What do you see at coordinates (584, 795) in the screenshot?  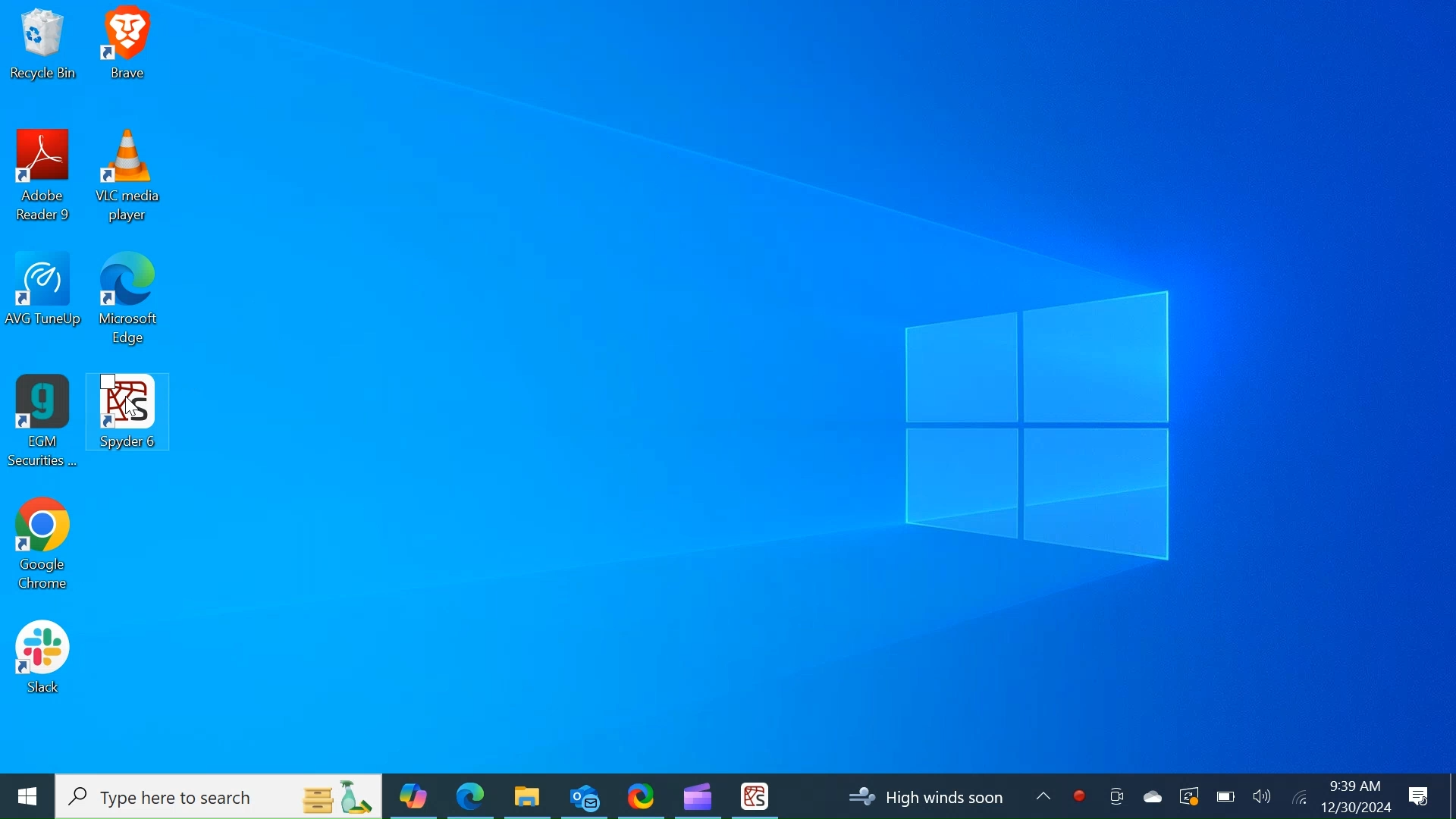 I see `Outlook Desktop Icon` at bounding box center [584, 795].